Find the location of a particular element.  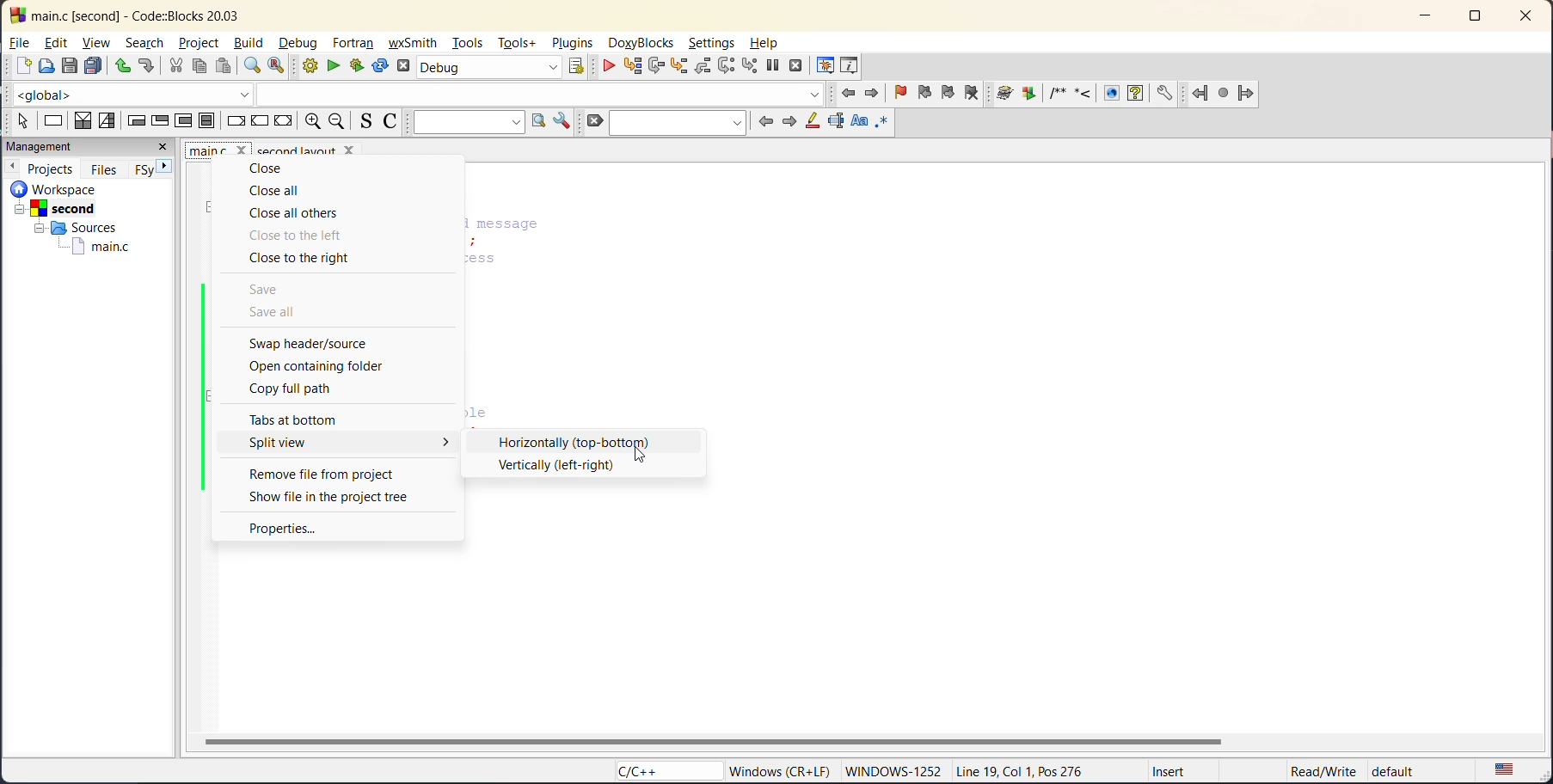

tabs at bottom is located at coordinates (304, 420).